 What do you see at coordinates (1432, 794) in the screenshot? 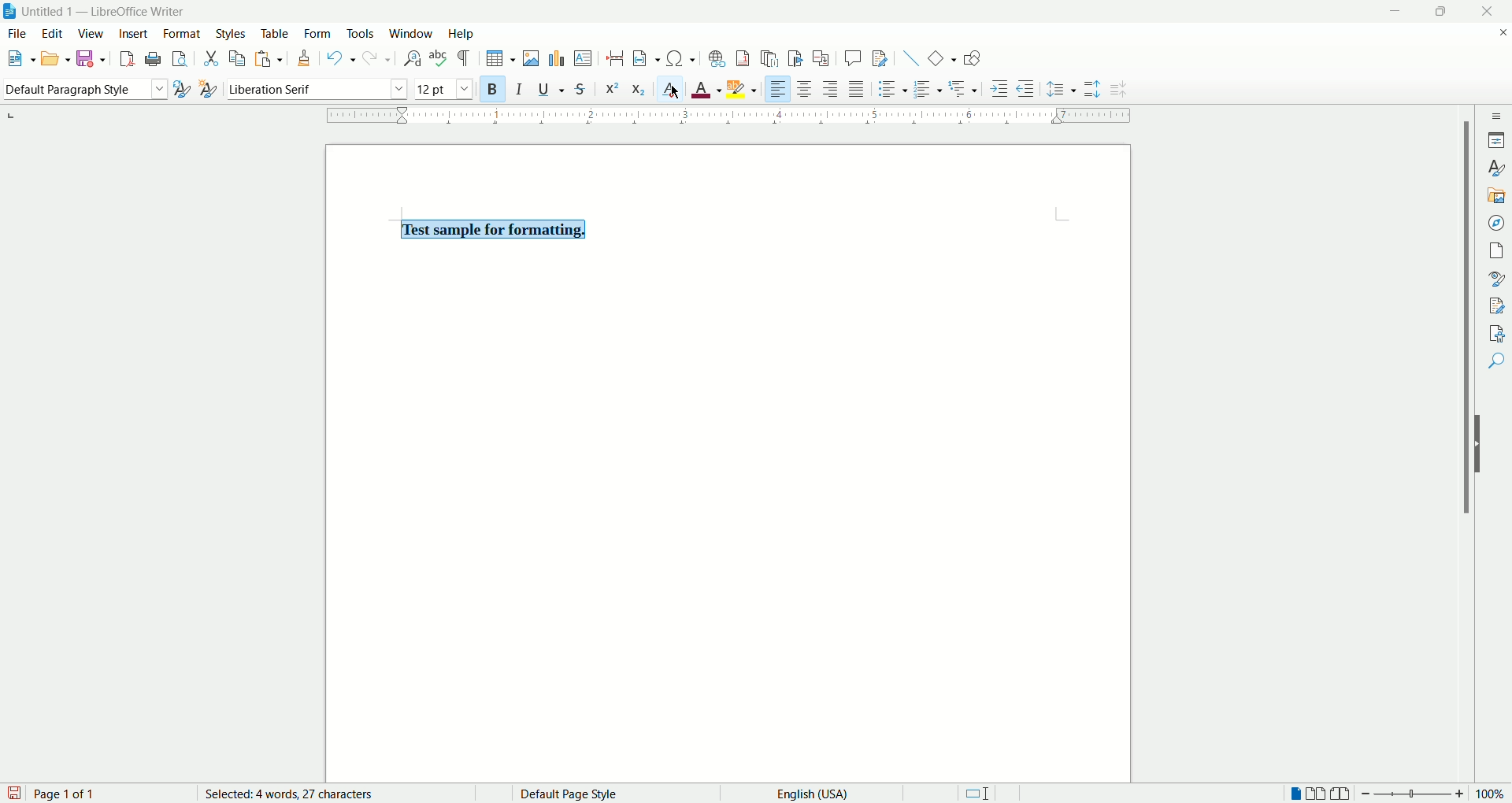
I see `zoom factor` at bounding box center [1432, 794].